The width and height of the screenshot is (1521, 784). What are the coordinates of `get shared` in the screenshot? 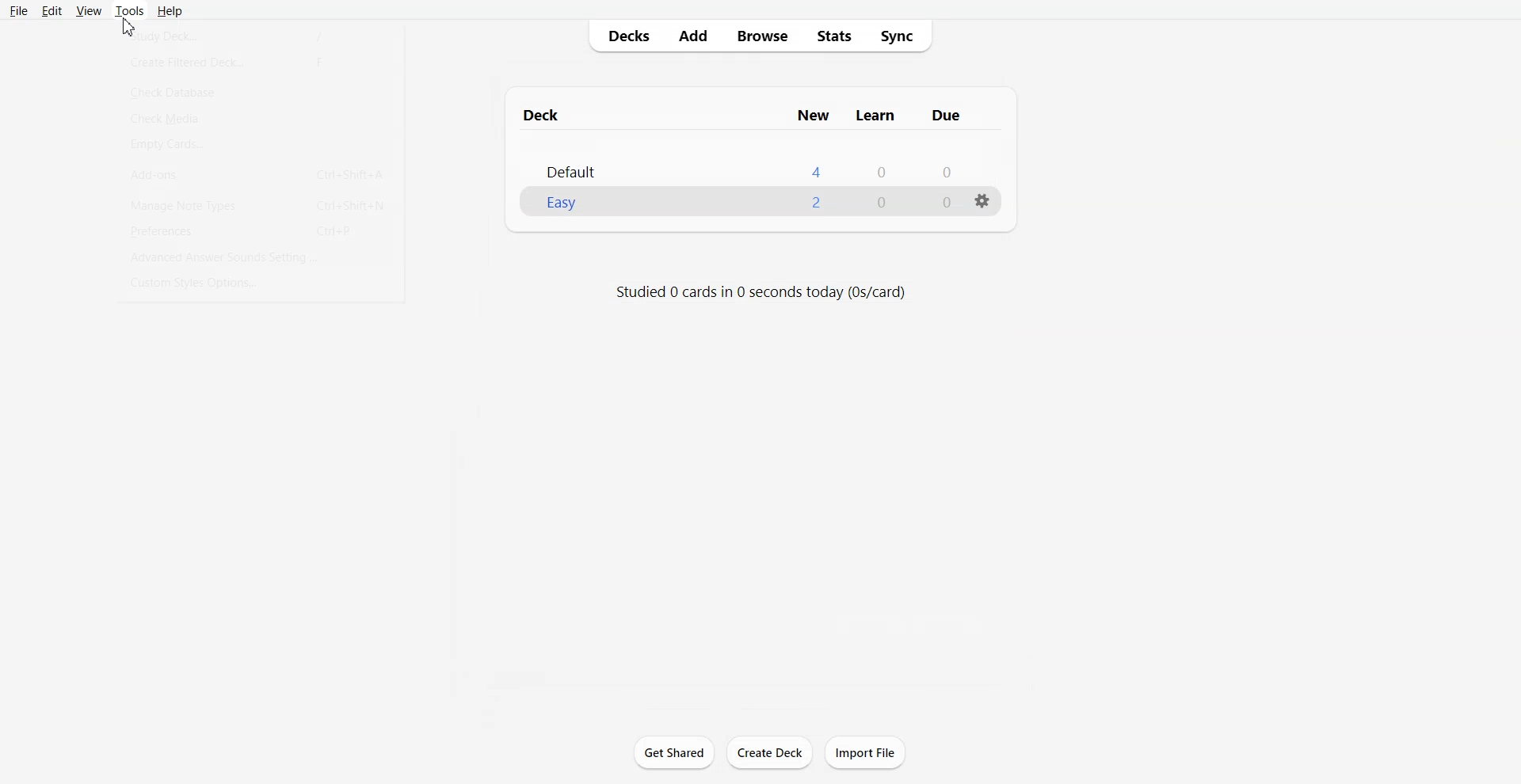 It's located at (677, 755).